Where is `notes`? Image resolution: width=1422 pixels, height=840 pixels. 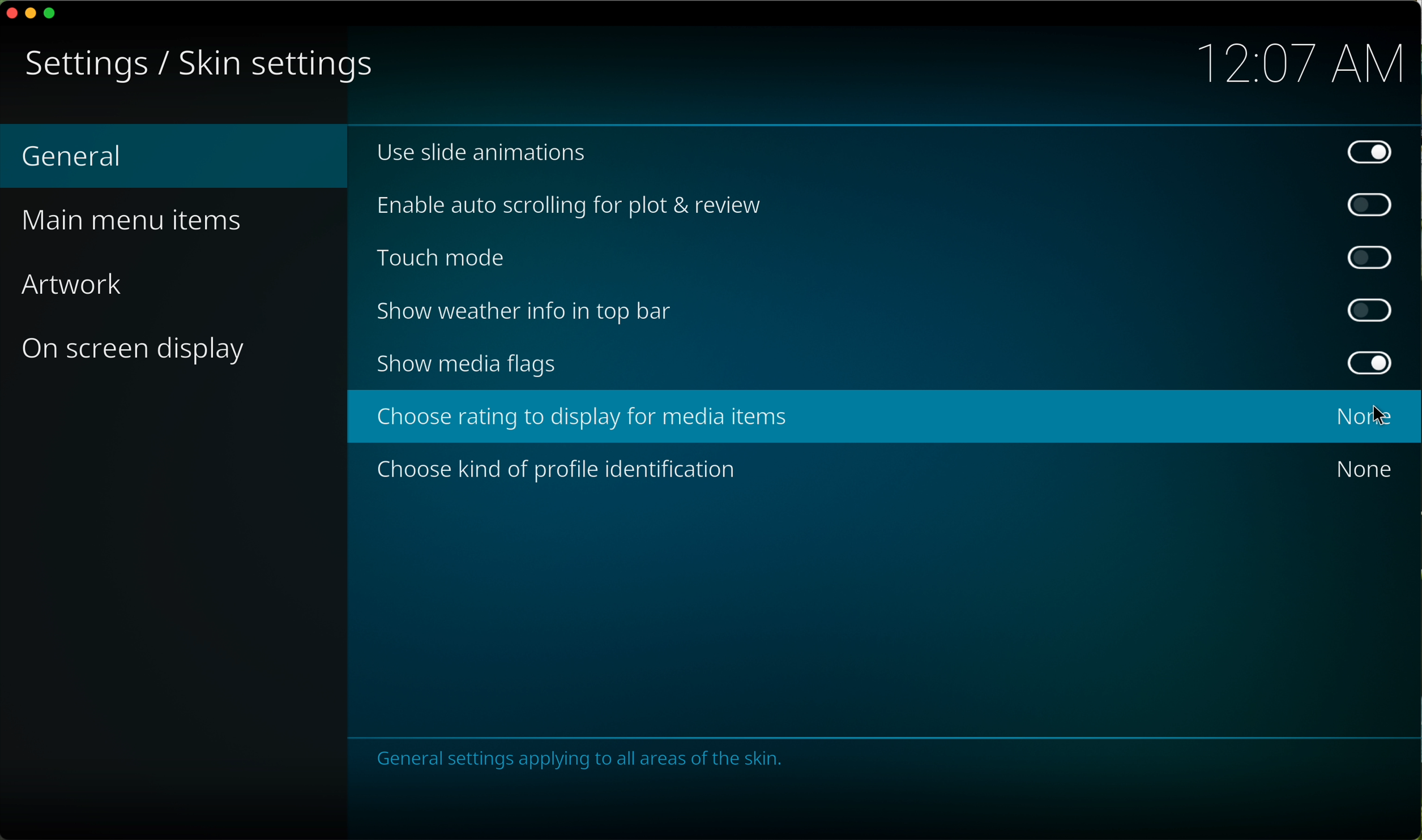
notes is located at coordinates (581, 760).